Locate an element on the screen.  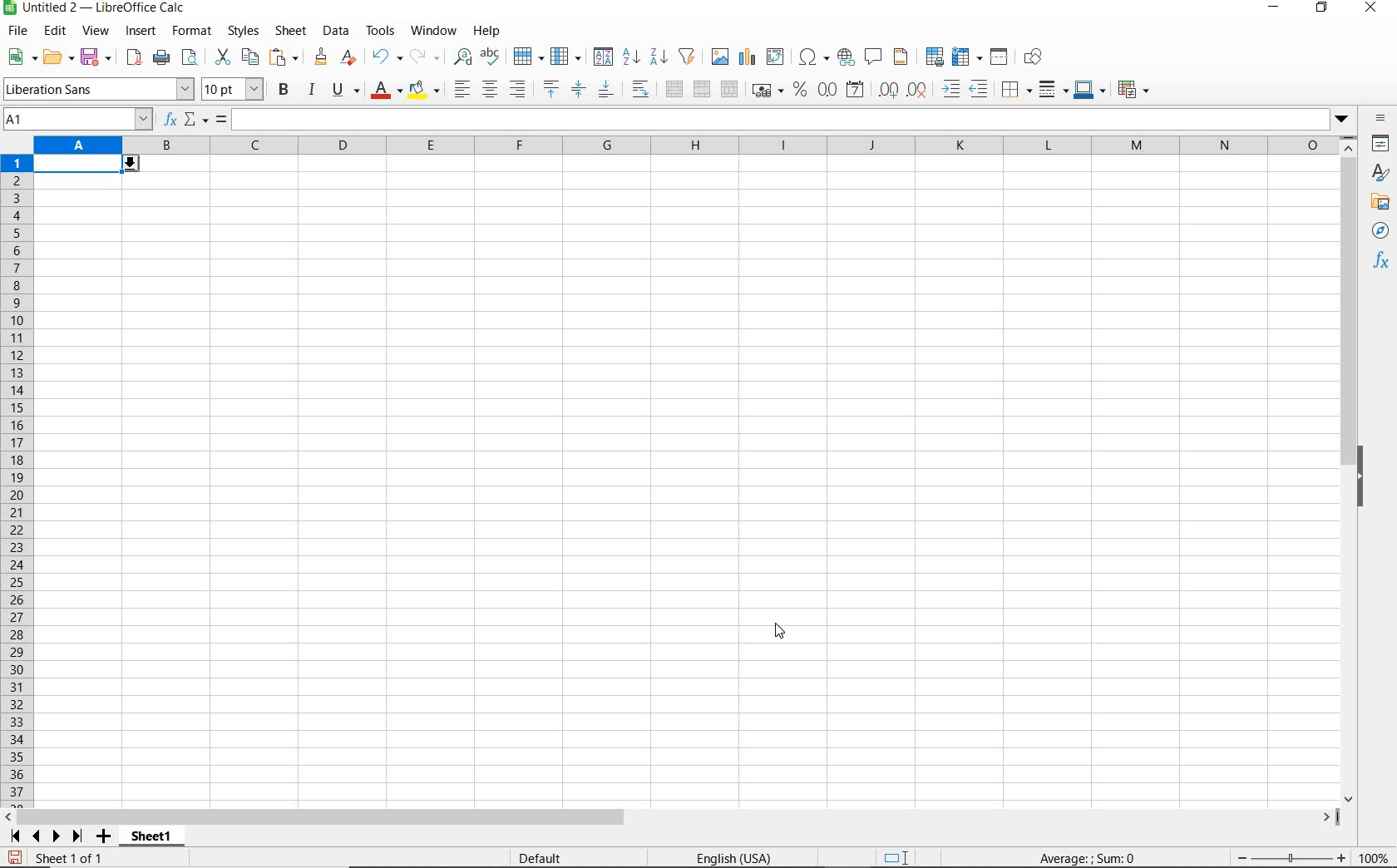
border style is located at coordinates (1054, 89).